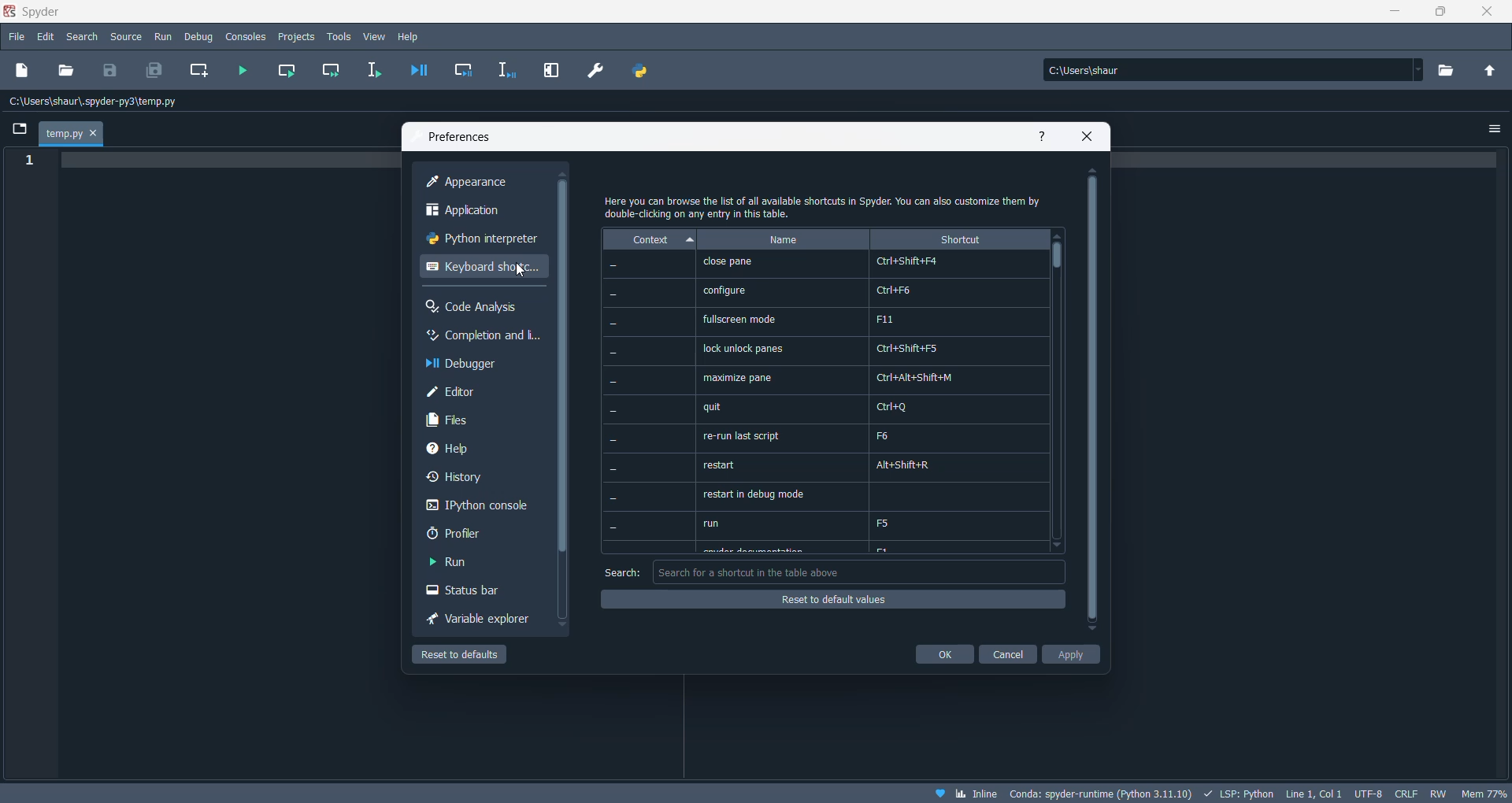 This screenshot has width=1512, height=803. Describe the element at coordinates (298, 37) in the screenshot. I see `projects` at that location.